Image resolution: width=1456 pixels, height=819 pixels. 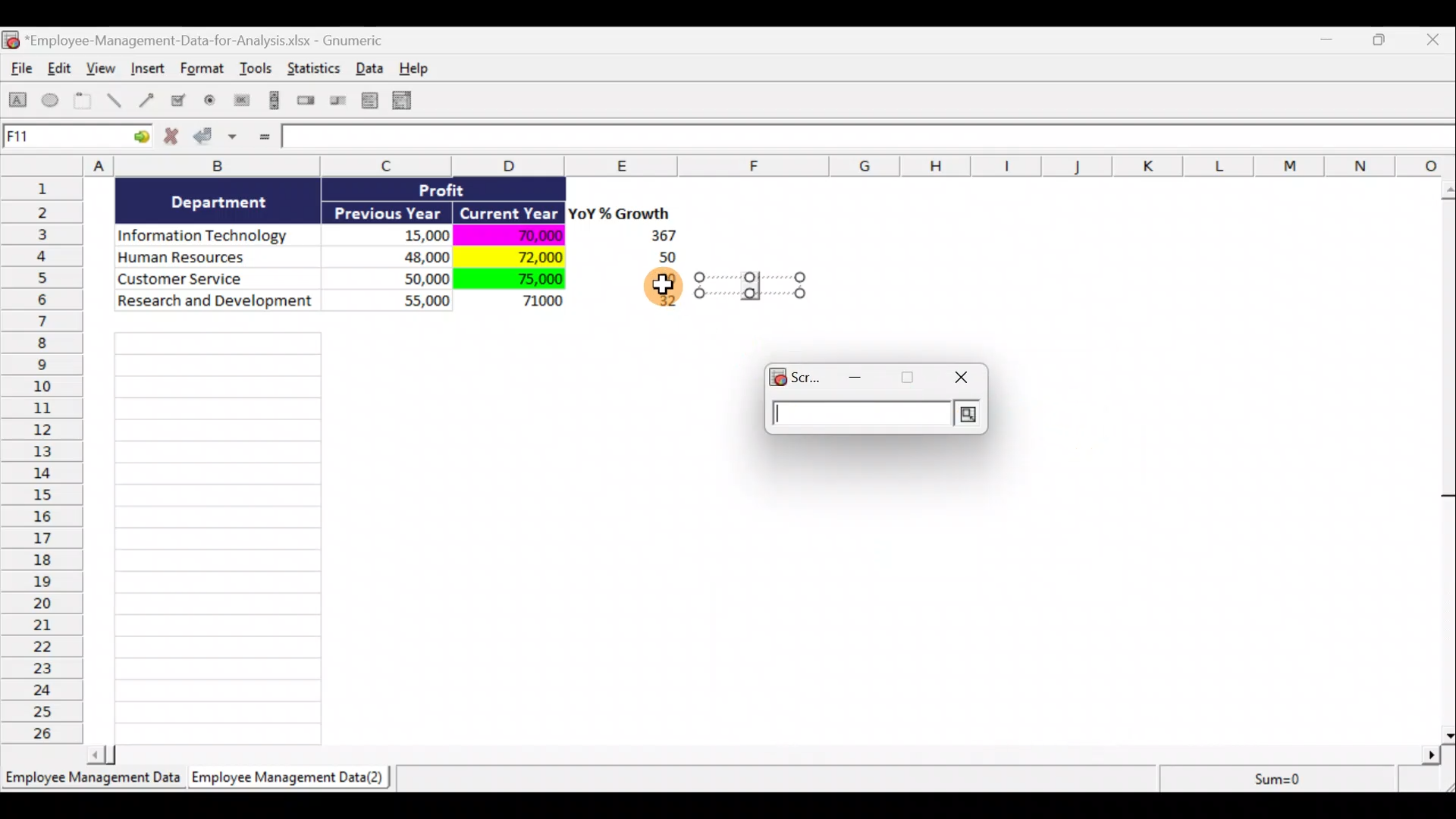 I want to click on Create a scrollbar, so click(x=272, y=103).